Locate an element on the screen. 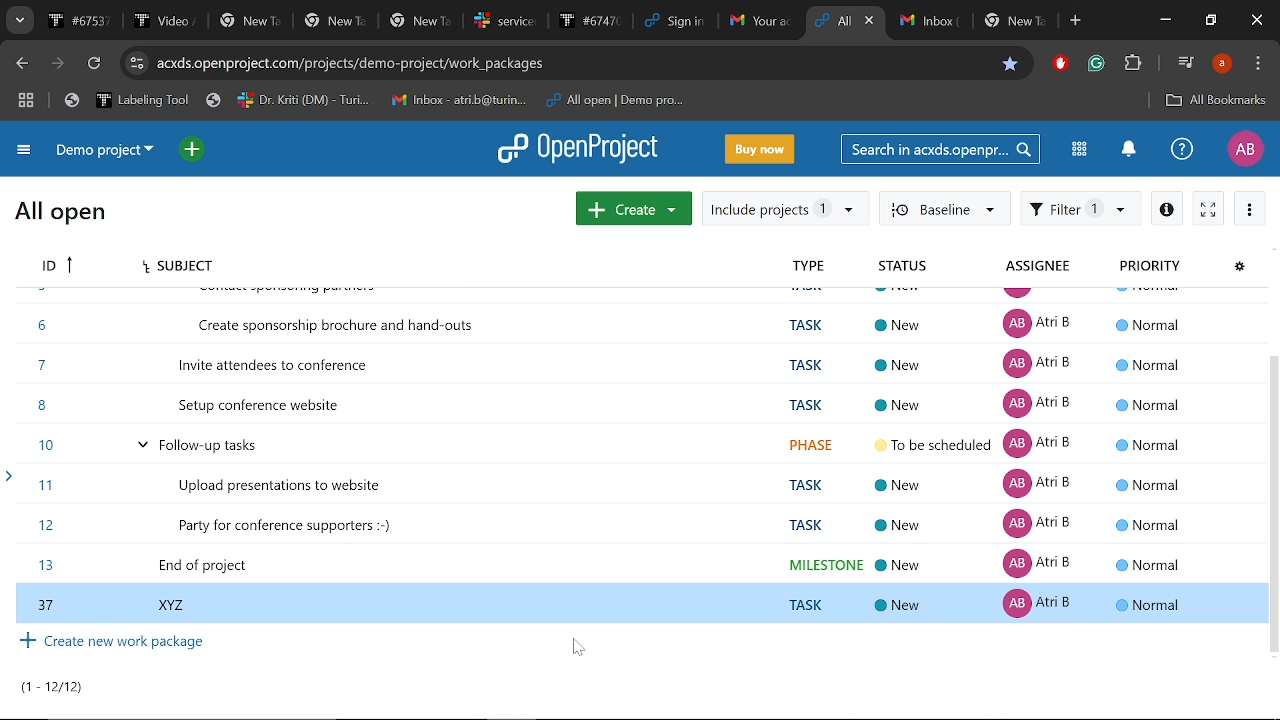  Baseline is located at coordinates (945, 206).